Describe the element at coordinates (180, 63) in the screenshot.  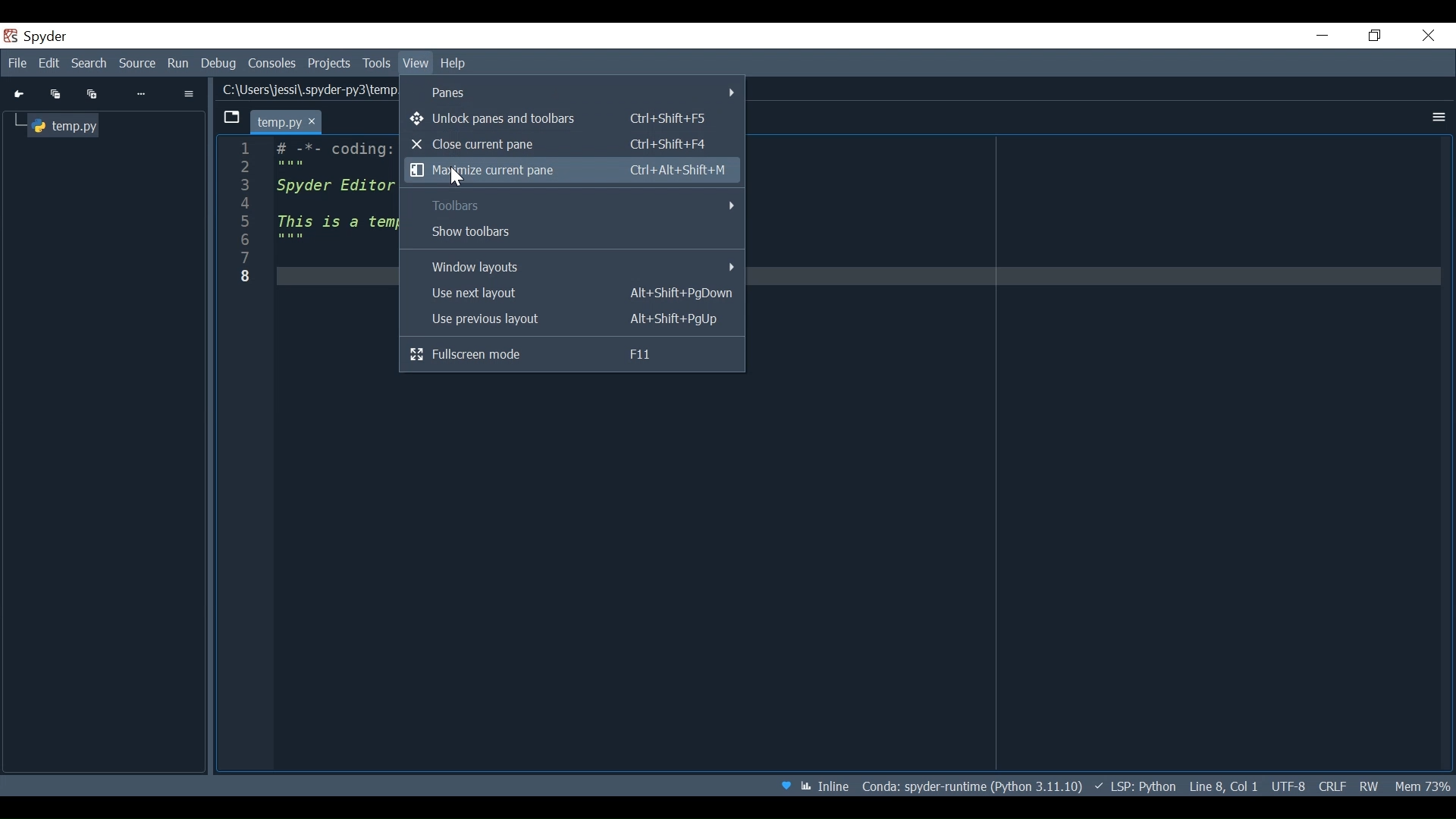
I see `Run` at that location.